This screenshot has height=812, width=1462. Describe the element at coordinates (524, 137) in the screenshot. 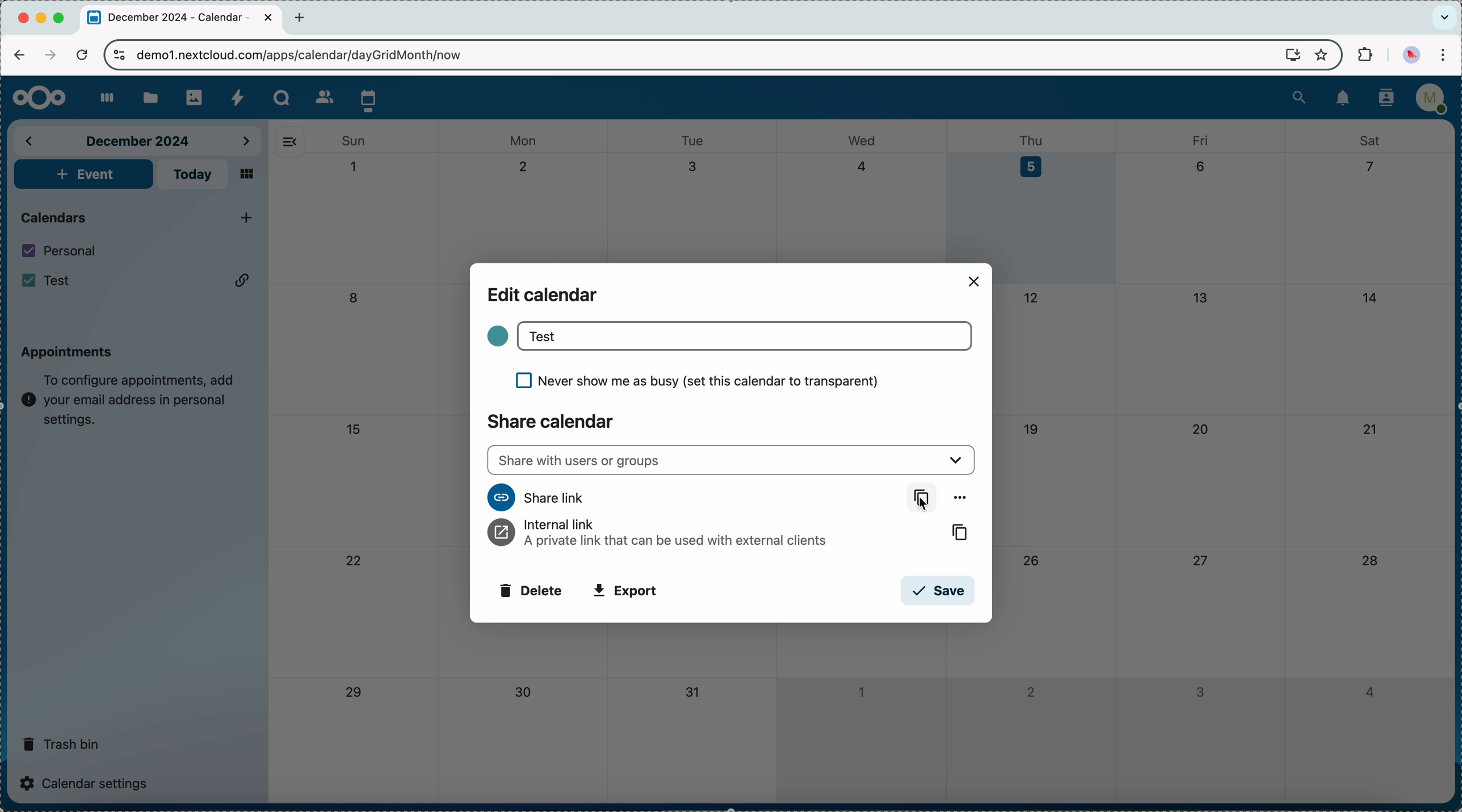

I see `mon` at that location.